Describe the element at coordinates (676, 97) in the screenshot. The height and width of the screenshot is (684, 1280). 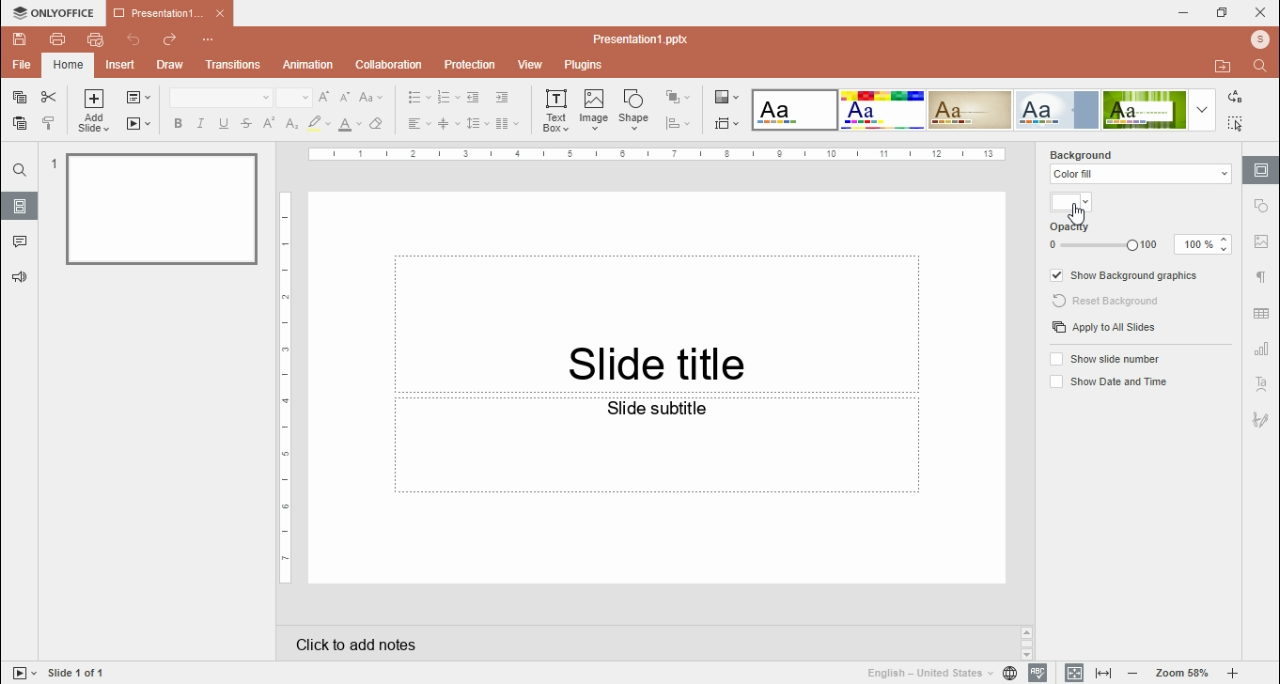
I see `arrange shape` at that location.